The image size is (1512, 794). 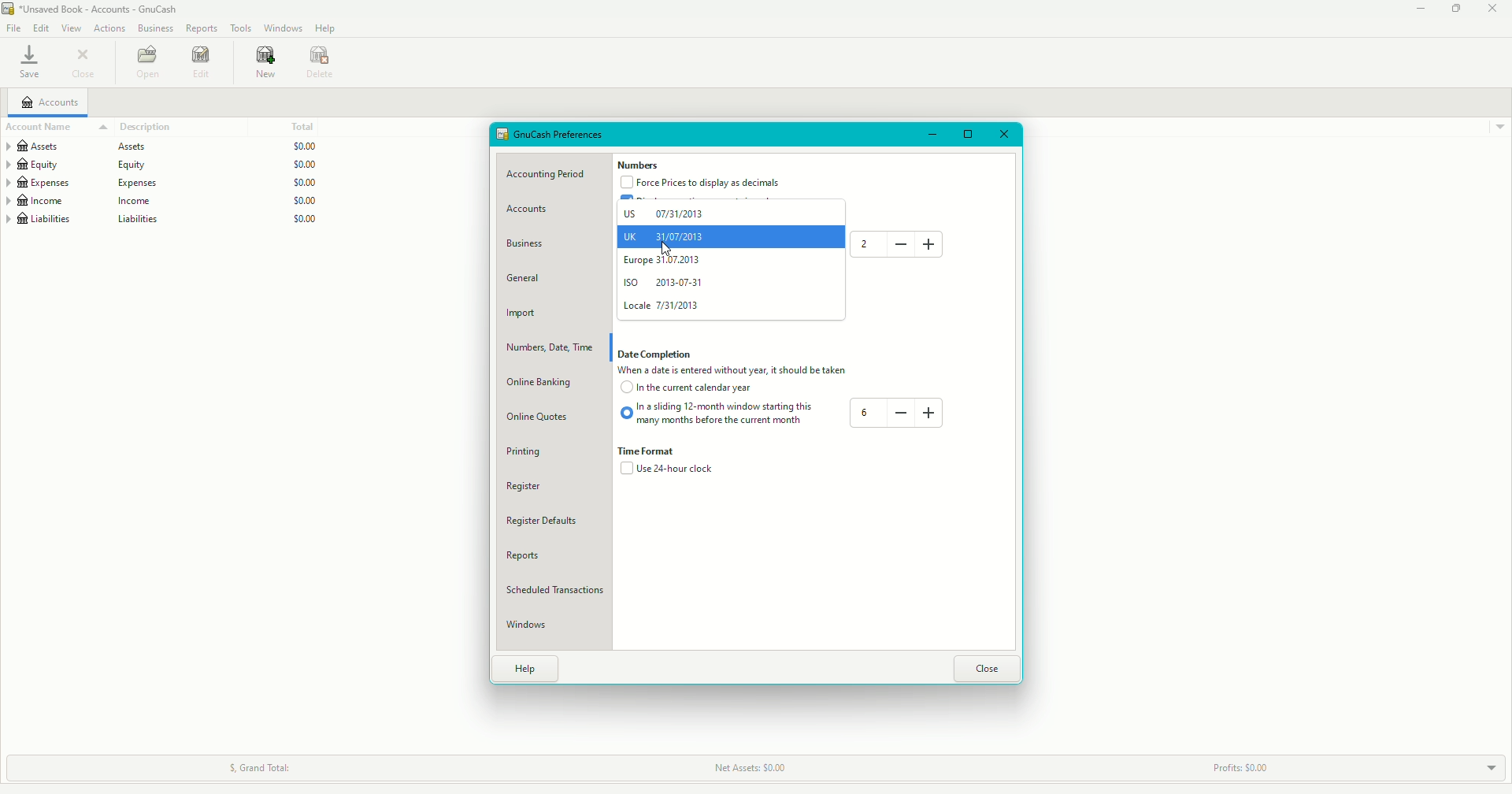 What do you see at coordinates (665, 262) in the screenshot?
I see `Europe` at bounding box center [665, 262].